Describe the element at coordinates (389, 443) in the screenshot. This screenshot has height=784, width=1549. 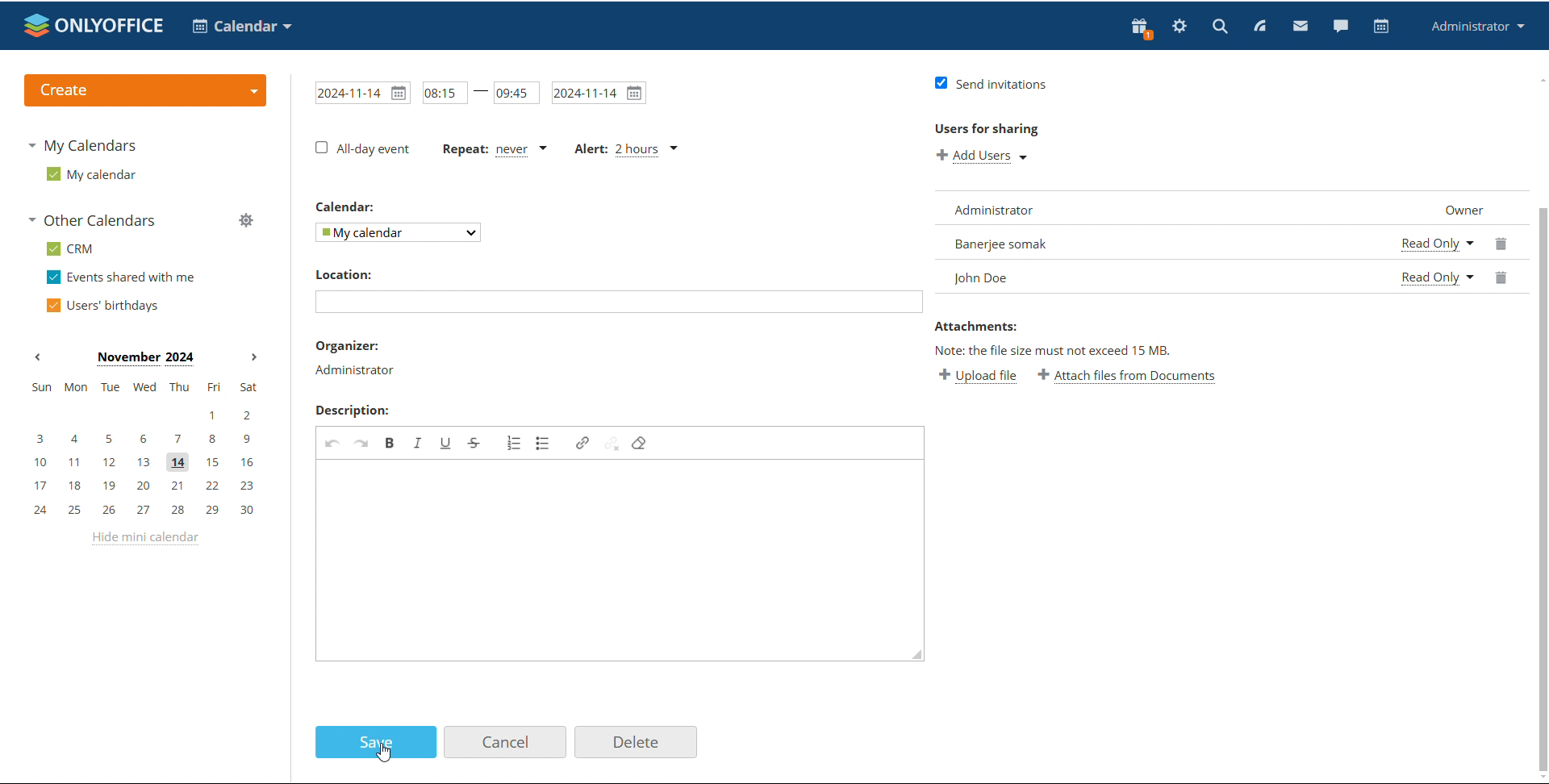
I see `Bold` at that location.